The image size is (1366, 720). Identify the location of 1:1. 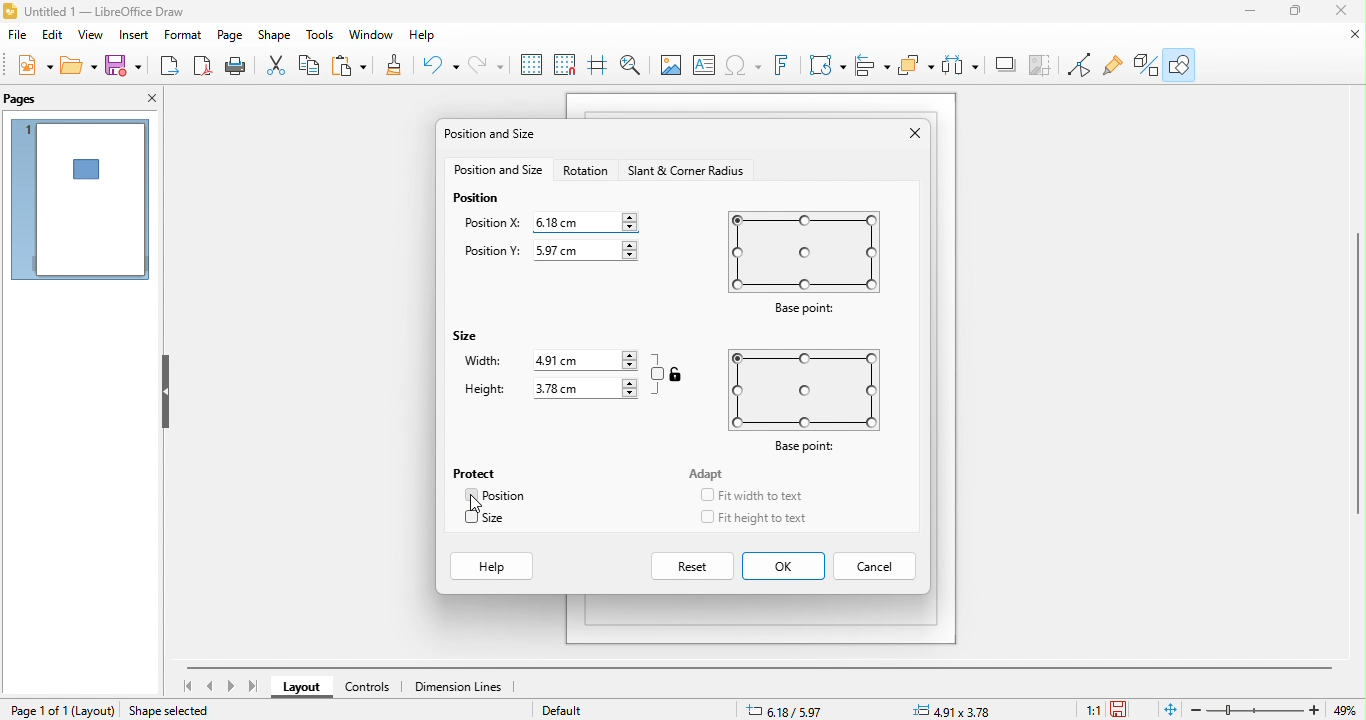
(1089, 710).